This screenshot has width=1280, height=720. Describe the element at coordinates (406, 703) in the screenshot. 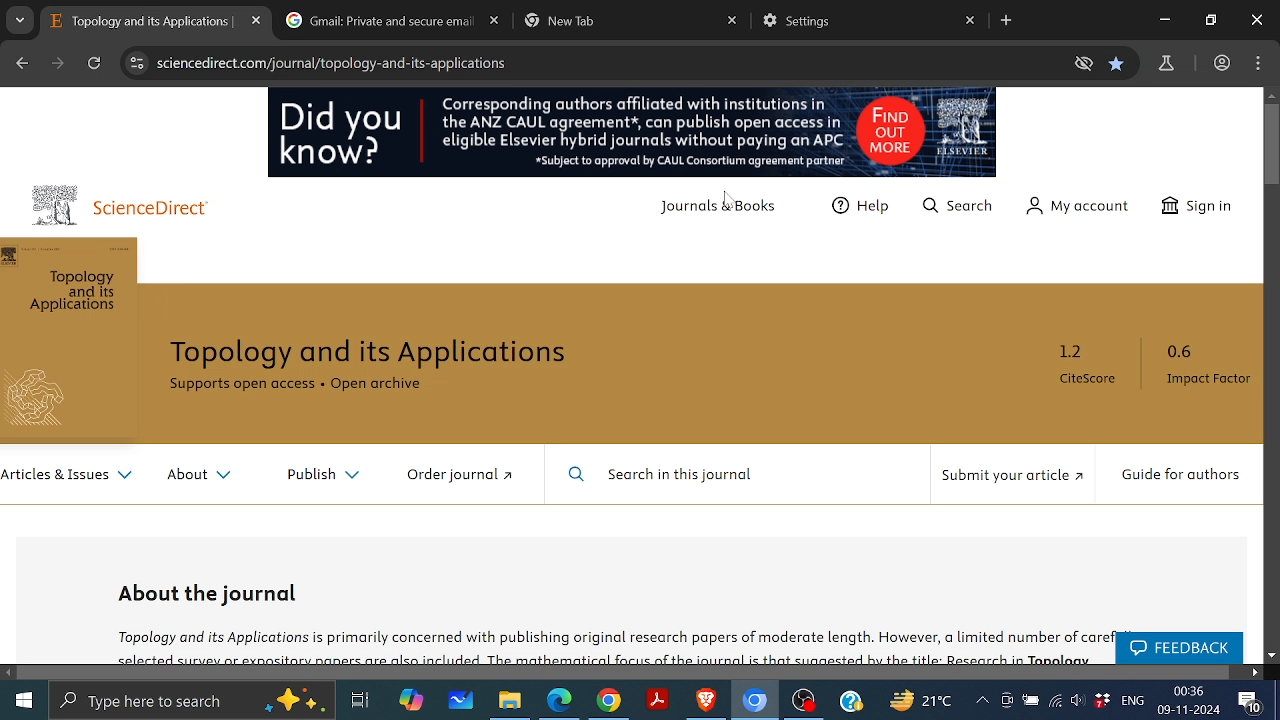

I see `copilot` at that location.